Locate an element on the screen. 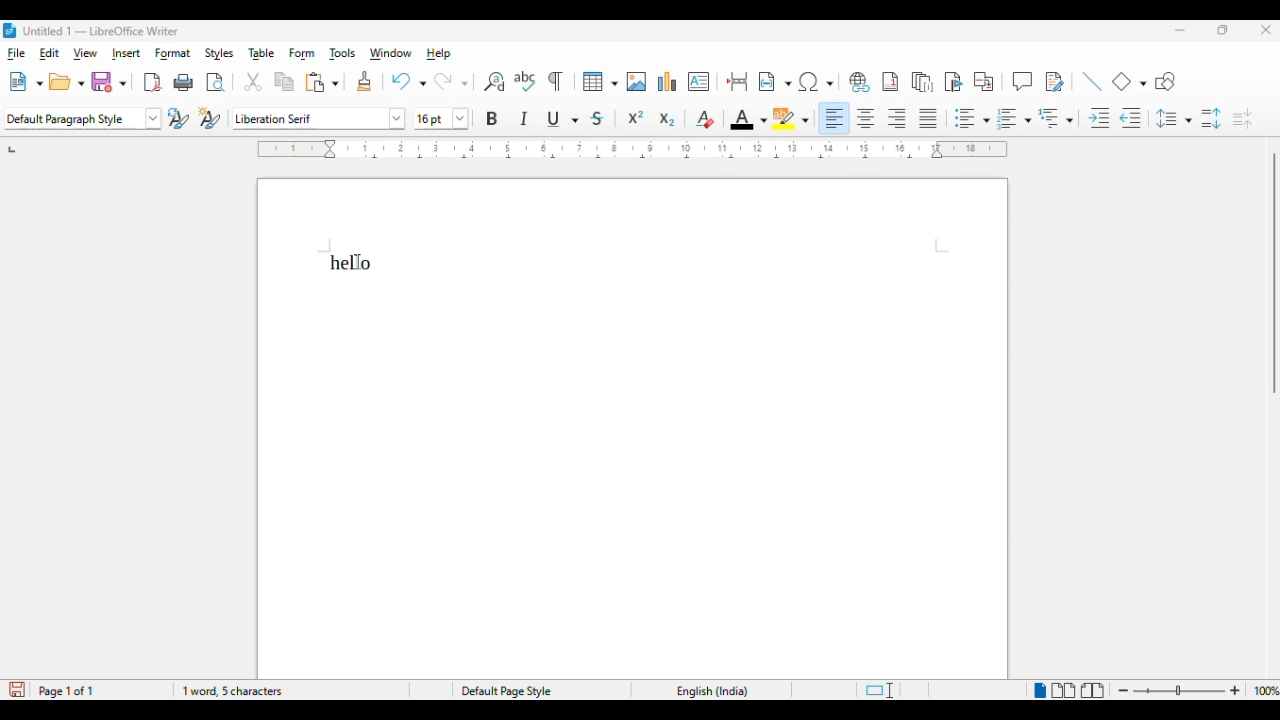 Image resolution: width=1280 pixels, height=720 pixels. show track changes functions is located at coordinates (1054, 82).